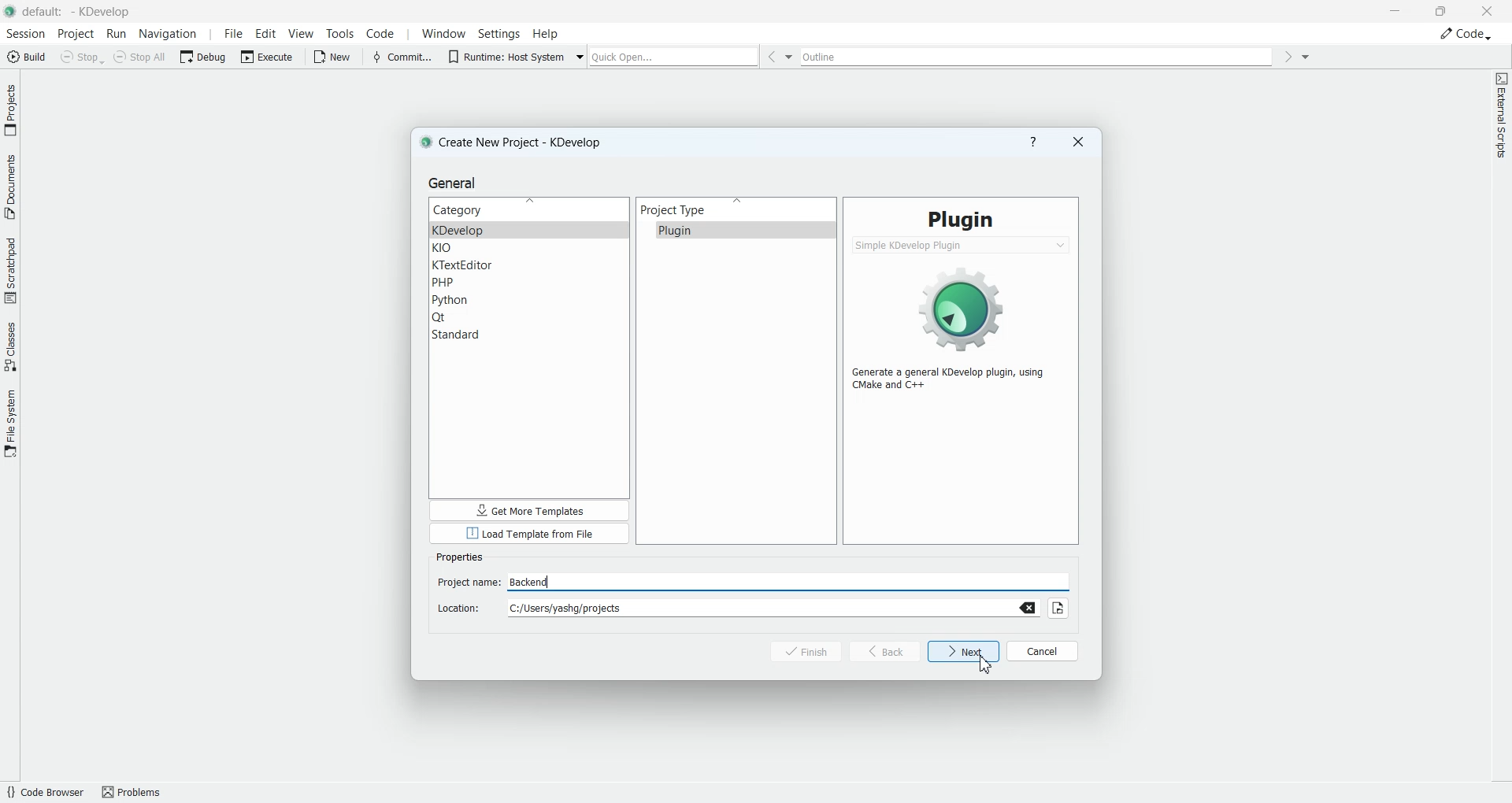 This screenshot has width=1512, height=803. Describe the element at coordinates (546, 33) in the screenshot. I see `Help` at that location.